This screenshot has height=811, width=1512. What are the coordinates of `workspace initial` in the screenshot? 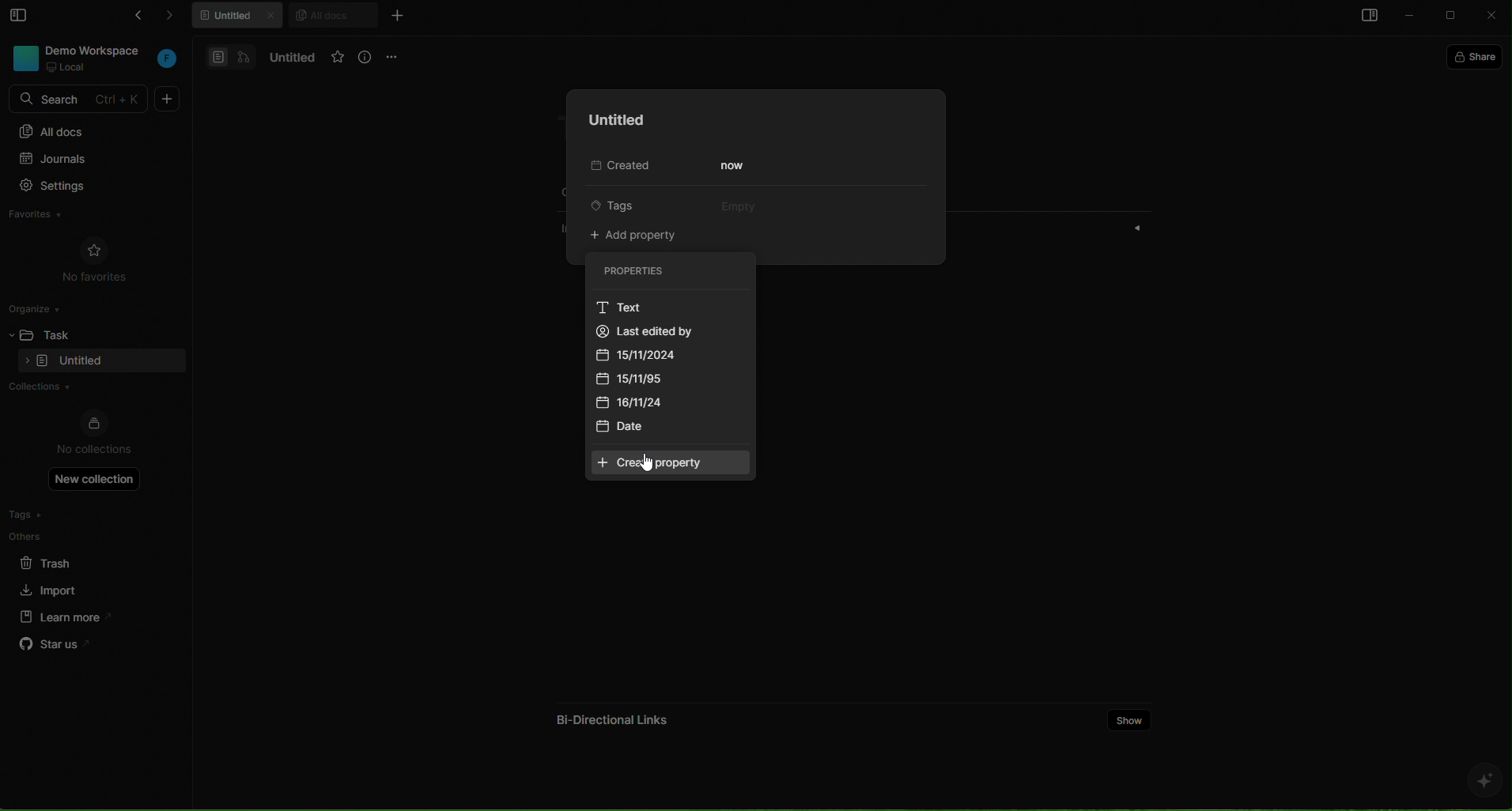 It's located at (168, 60).